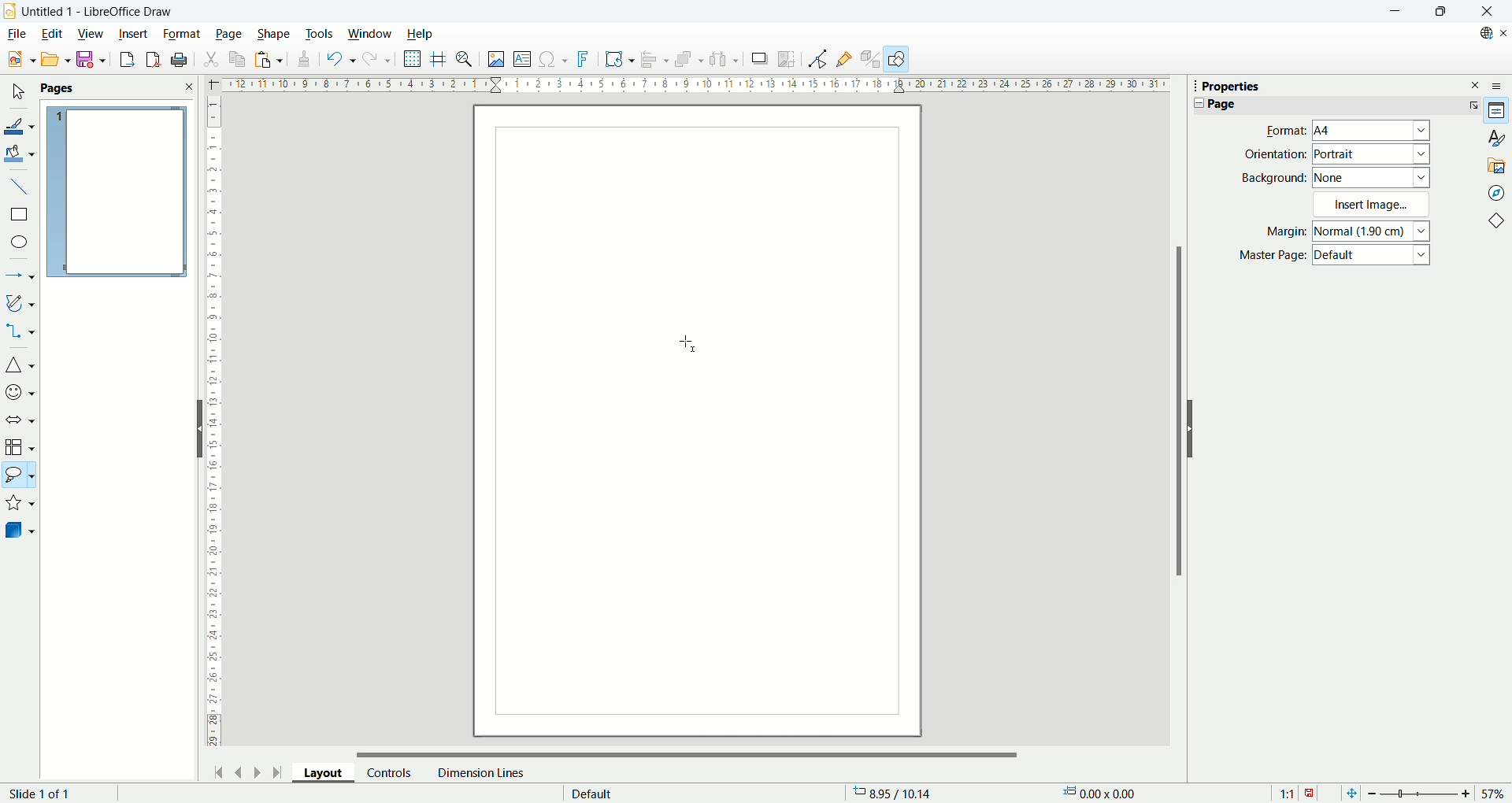 Image resolution: width=1512 pixels, height=803 pixels. What do you see at coordinates (1350, 792) in the screenshot?
I see `fit to window screen` at bounding box center [1350, 792].